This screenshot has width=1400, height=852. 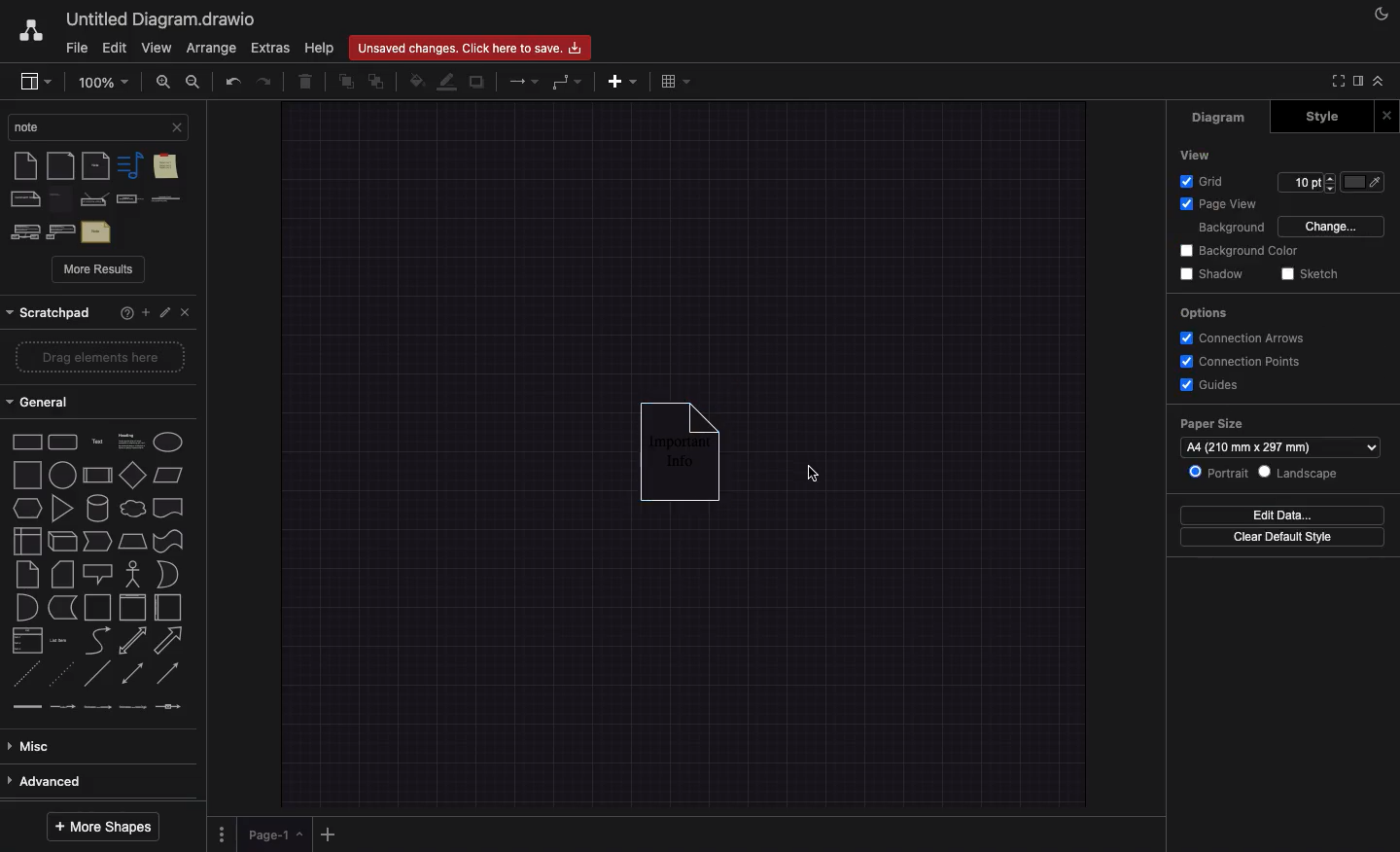 I want to click on square, so click(x=26, y=476).